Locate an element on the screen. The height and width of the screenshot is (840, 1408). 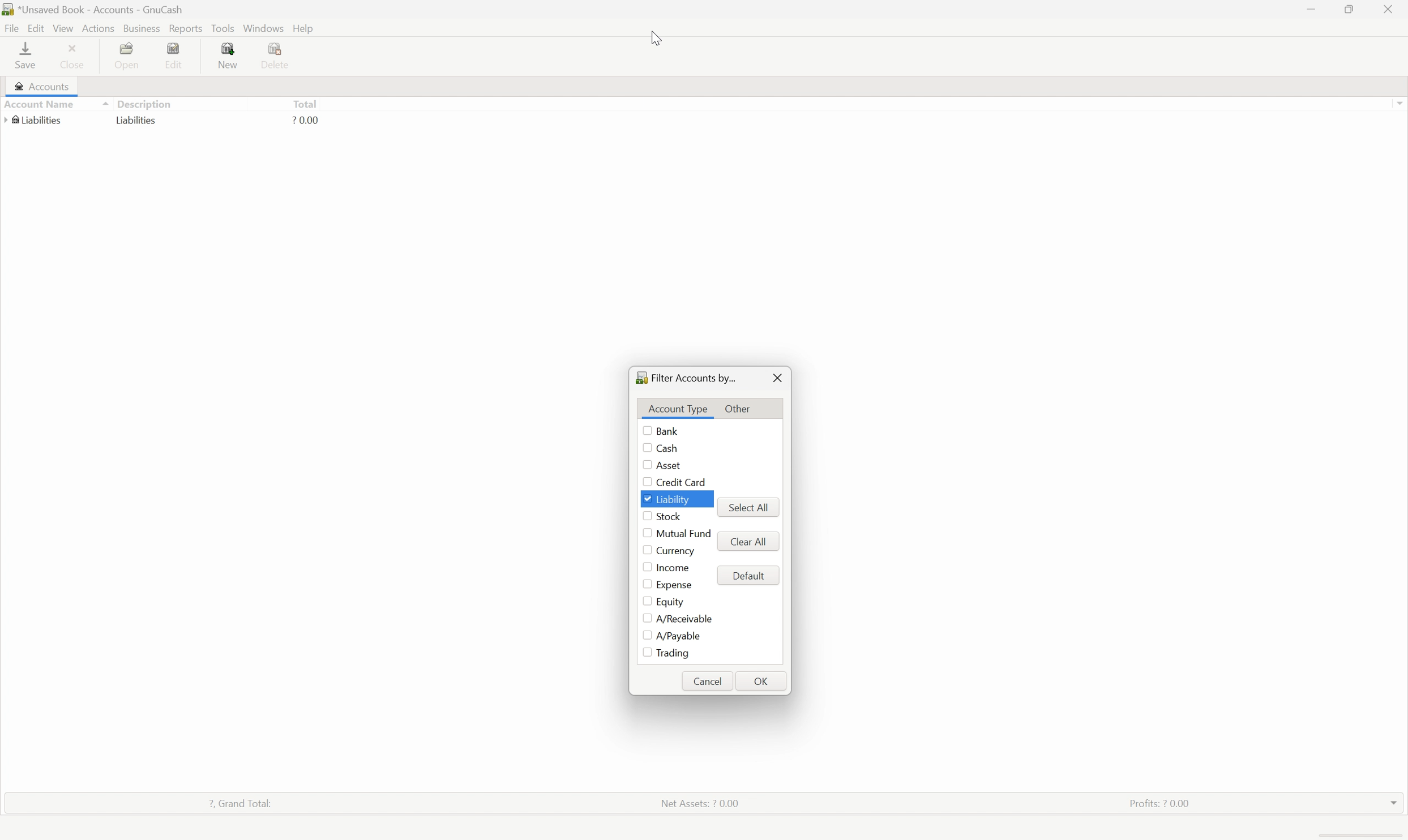
Checkbox is located at coordinates (645, 430).